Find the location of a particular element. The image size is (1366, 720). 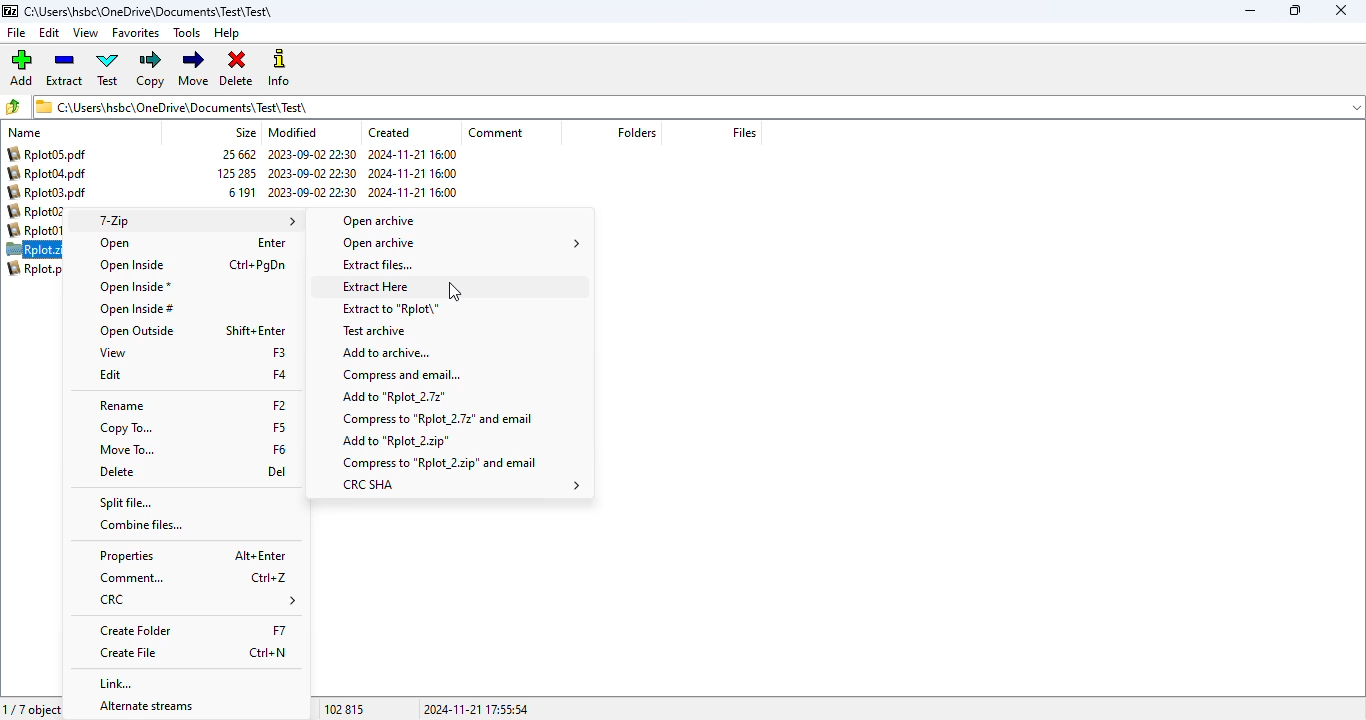

open inside# is located at coordinates (136, 309).